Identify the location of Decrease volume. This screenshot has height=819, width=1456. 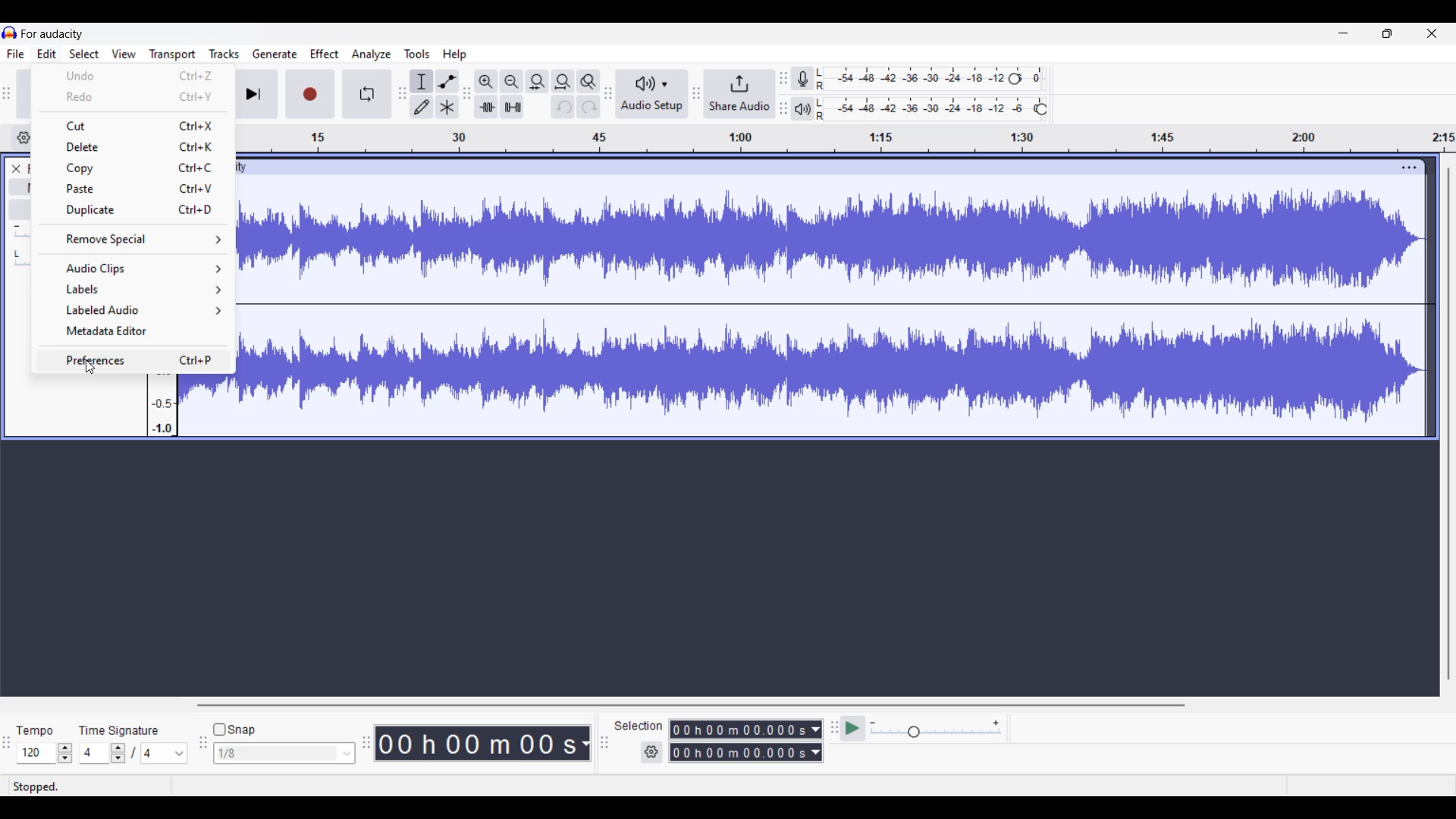
(16, 227).